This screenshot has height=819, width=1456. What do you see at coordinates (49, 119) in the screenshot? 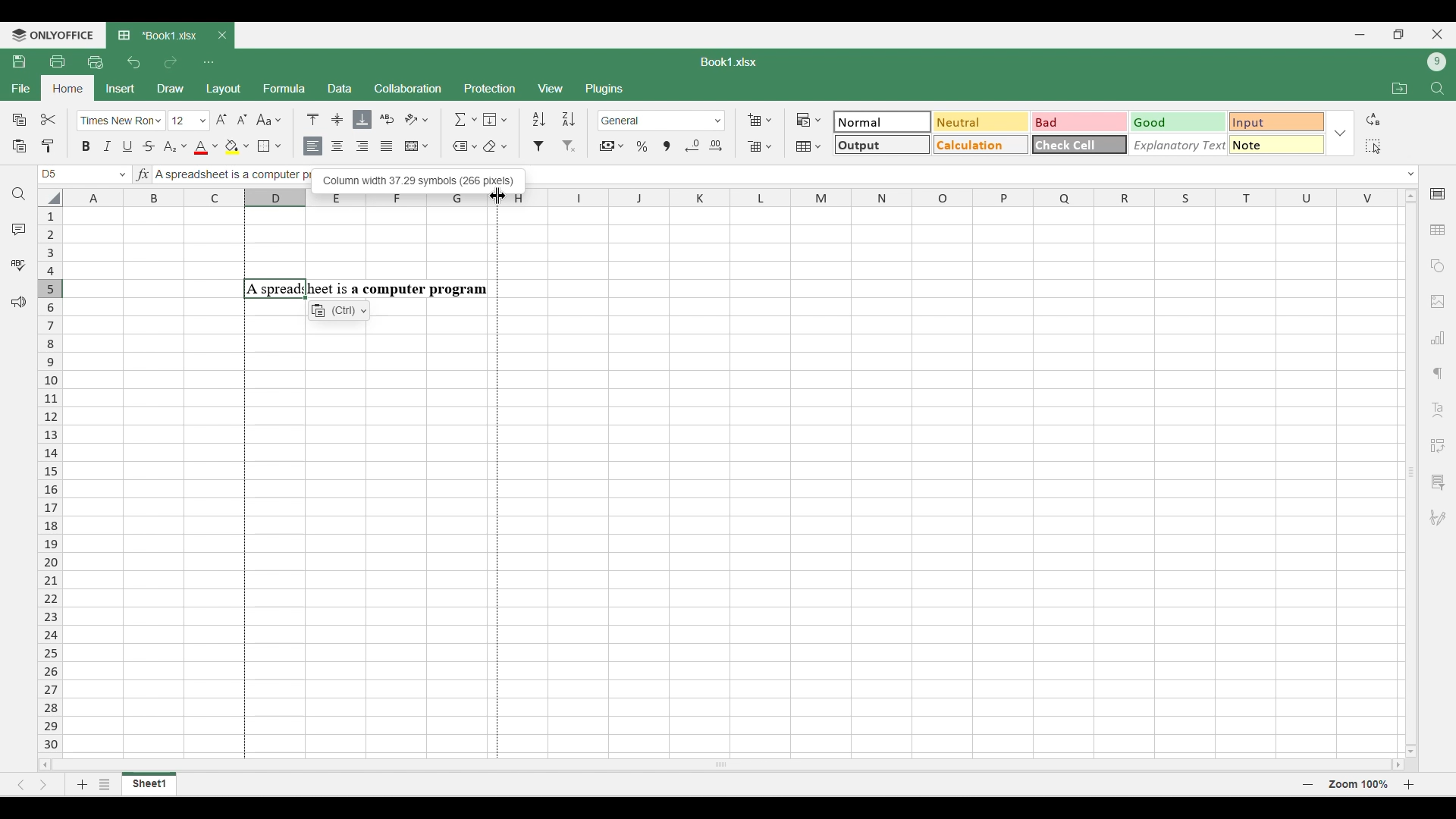
I see `Cut` at bounding box center [49, 119].